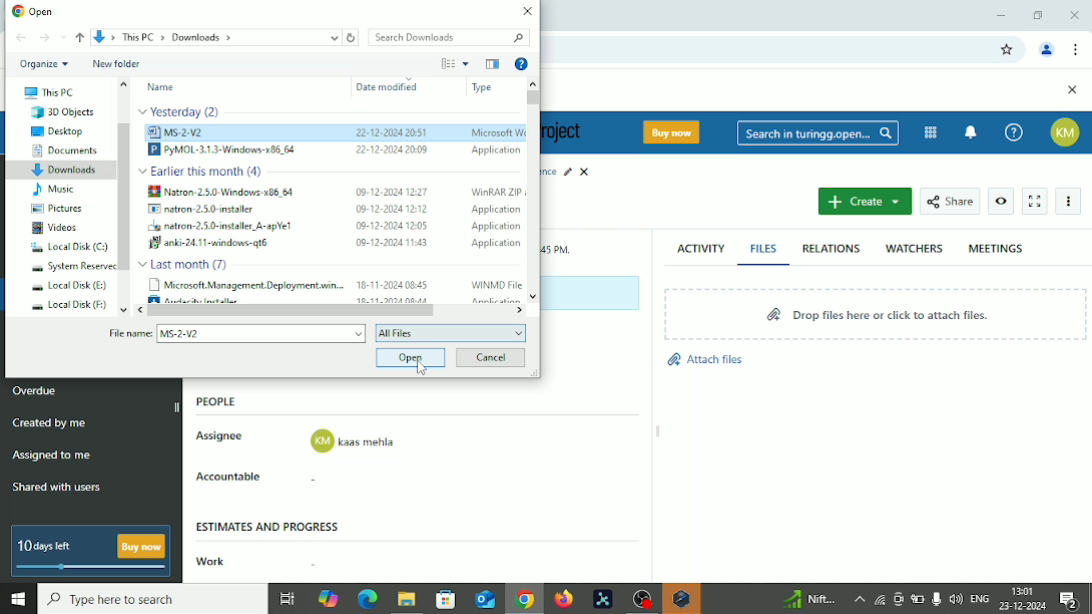 Image resolution: width=1092 pixels, height=614 pixels. What do you see at coordinates (209, 209) in the screenshot?
I see `I matron 2.50 mataller` at bounding box center [209, 209].